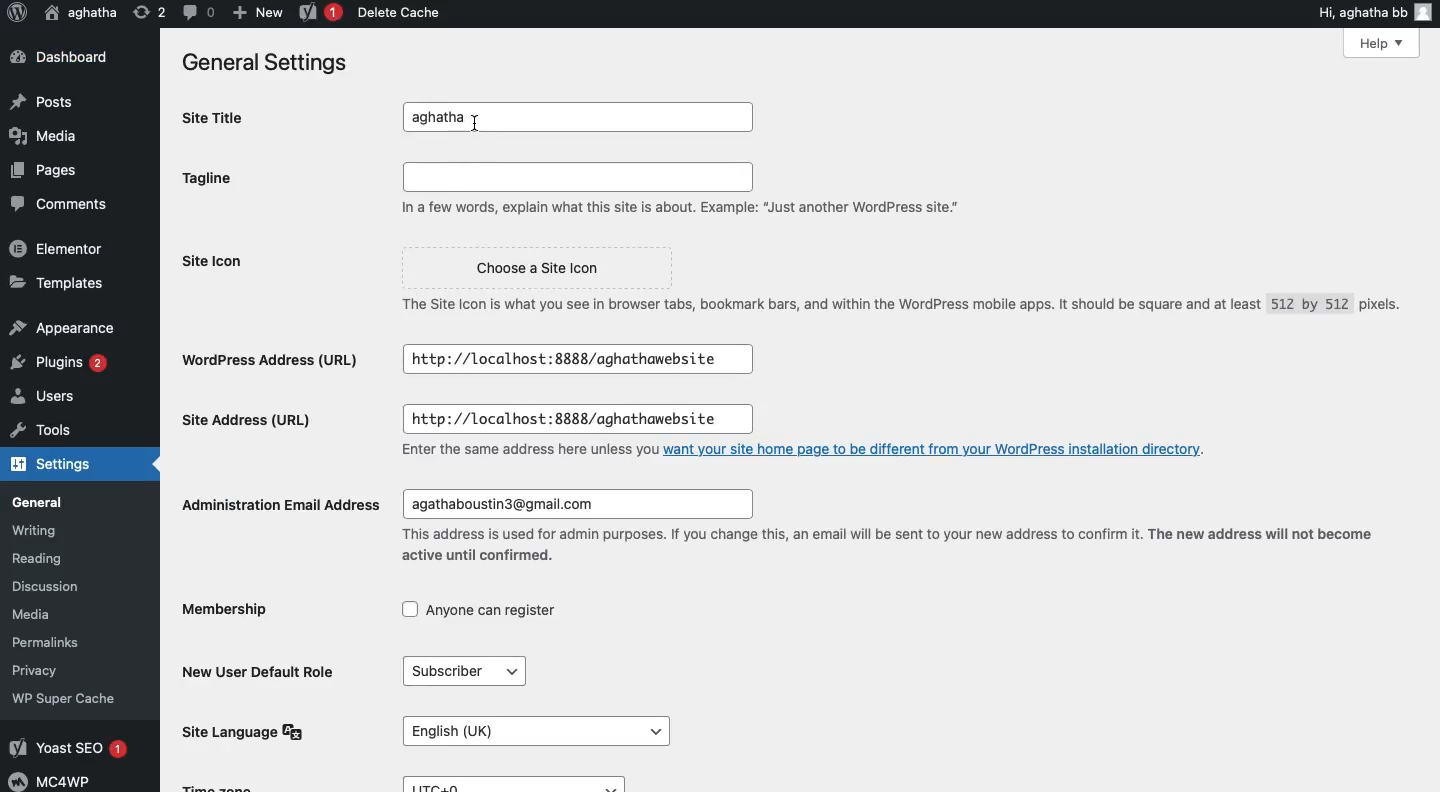 Image resolution: width=1440 pixels, height=792 pixels. Describe the element at coordinates (483, 610) in the screenshot. I see `Anyone can register` at that location.